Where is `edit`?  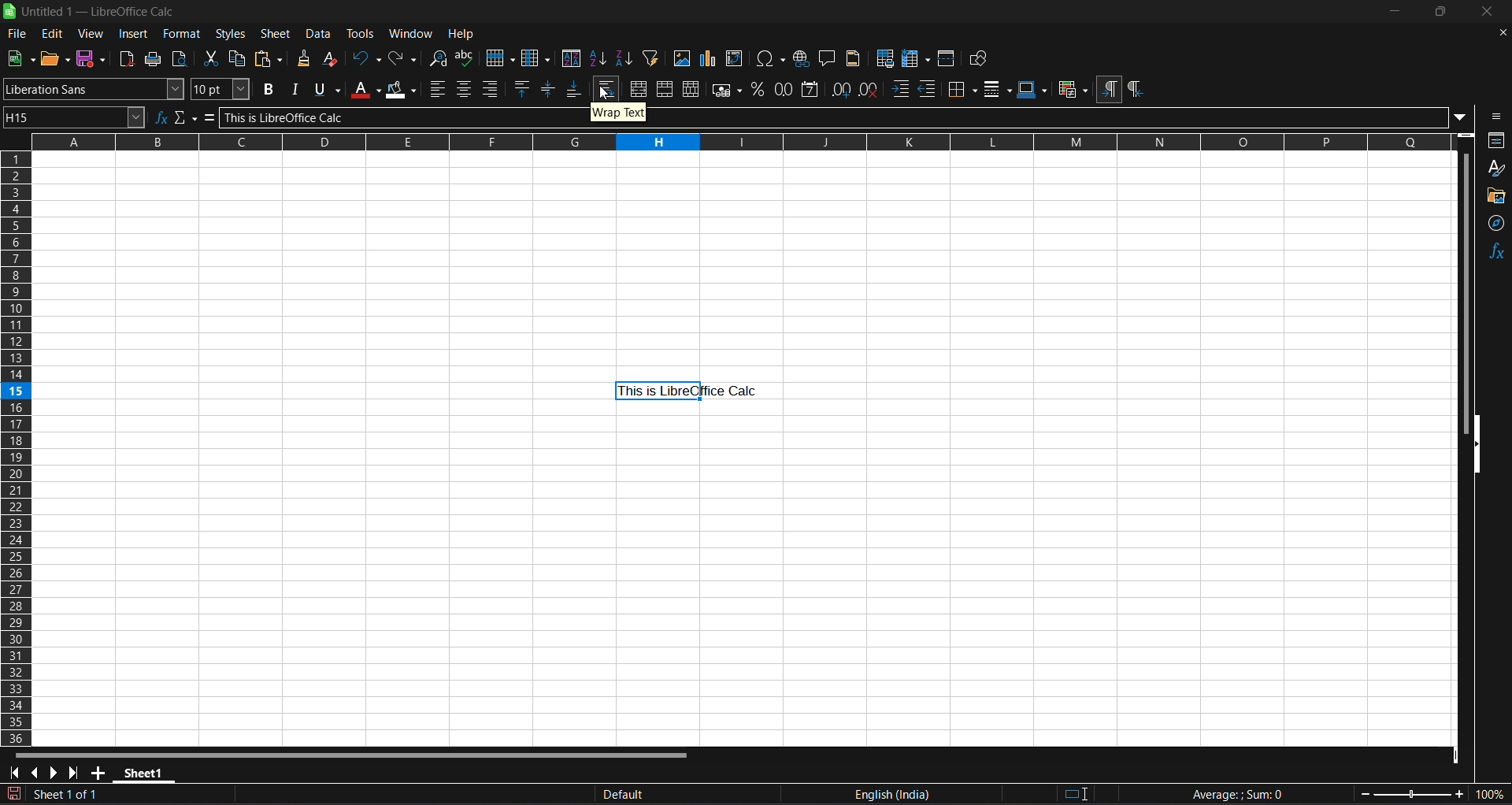
edit is located at coordinates (53, 33).